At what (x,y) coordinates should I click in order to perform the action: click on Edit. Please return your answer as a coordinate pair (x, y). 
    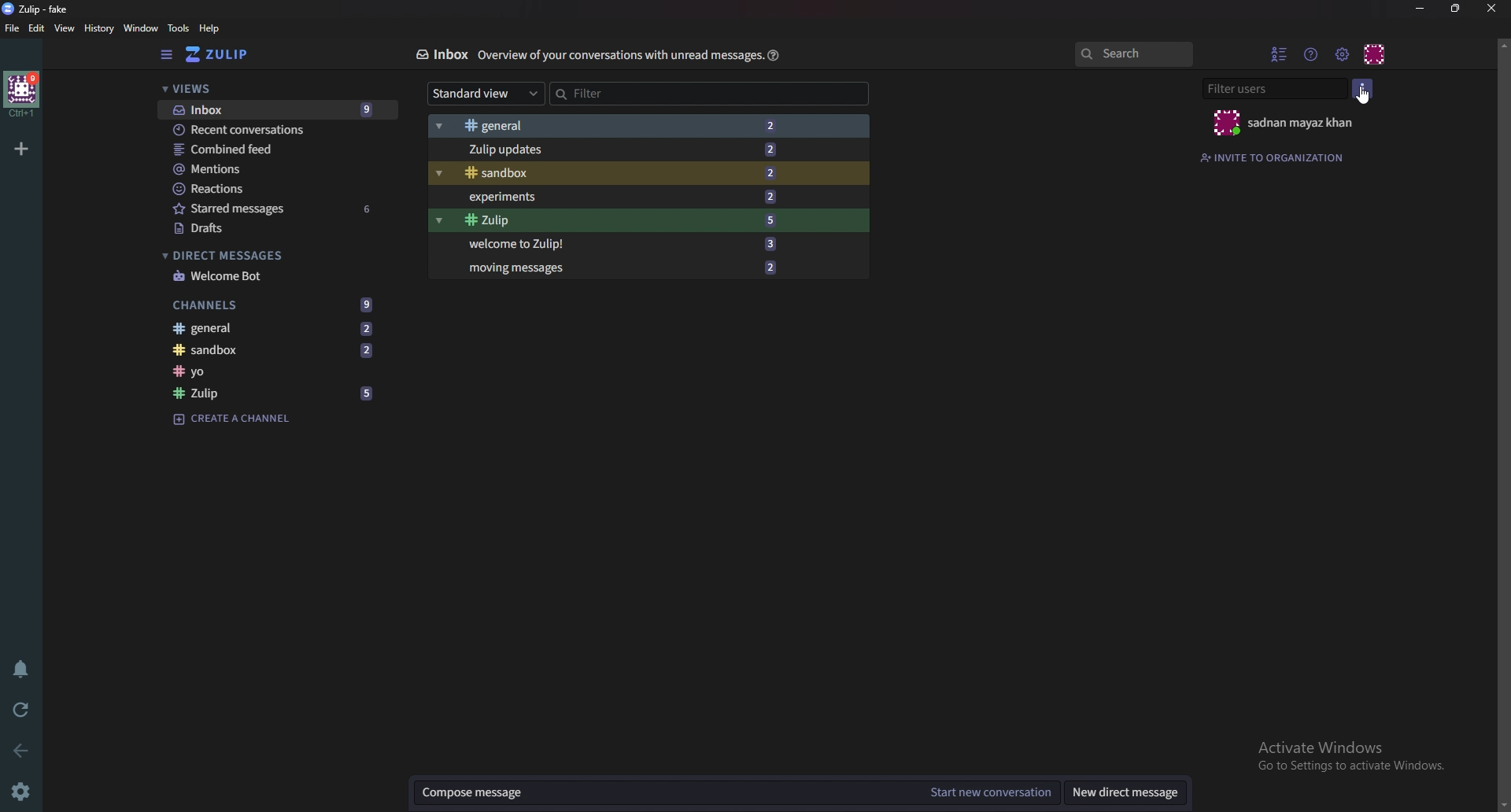
    Looking at the image, I should click on (39, 28).